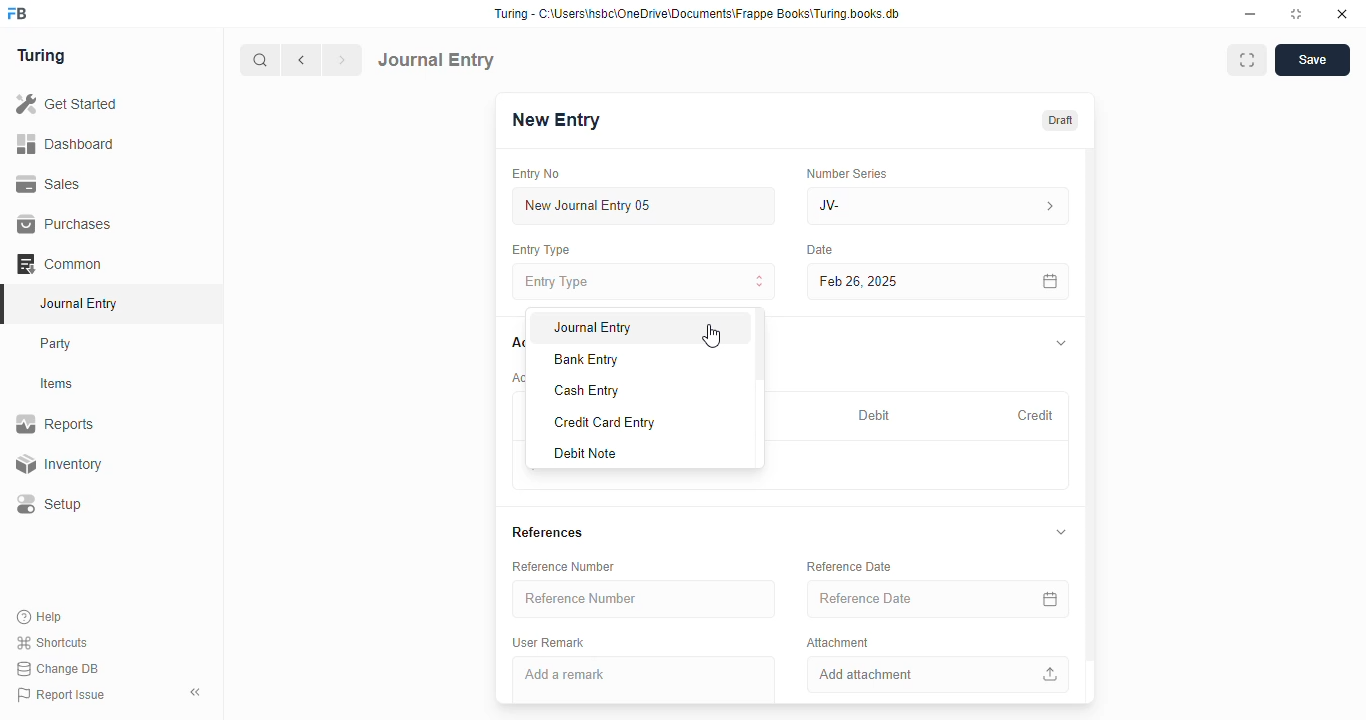 The height and width of the screenshot is (720, 1366). Describe the element at coordinates (645, 207) in the screenshot. I see `new journal entry 05` at that location.